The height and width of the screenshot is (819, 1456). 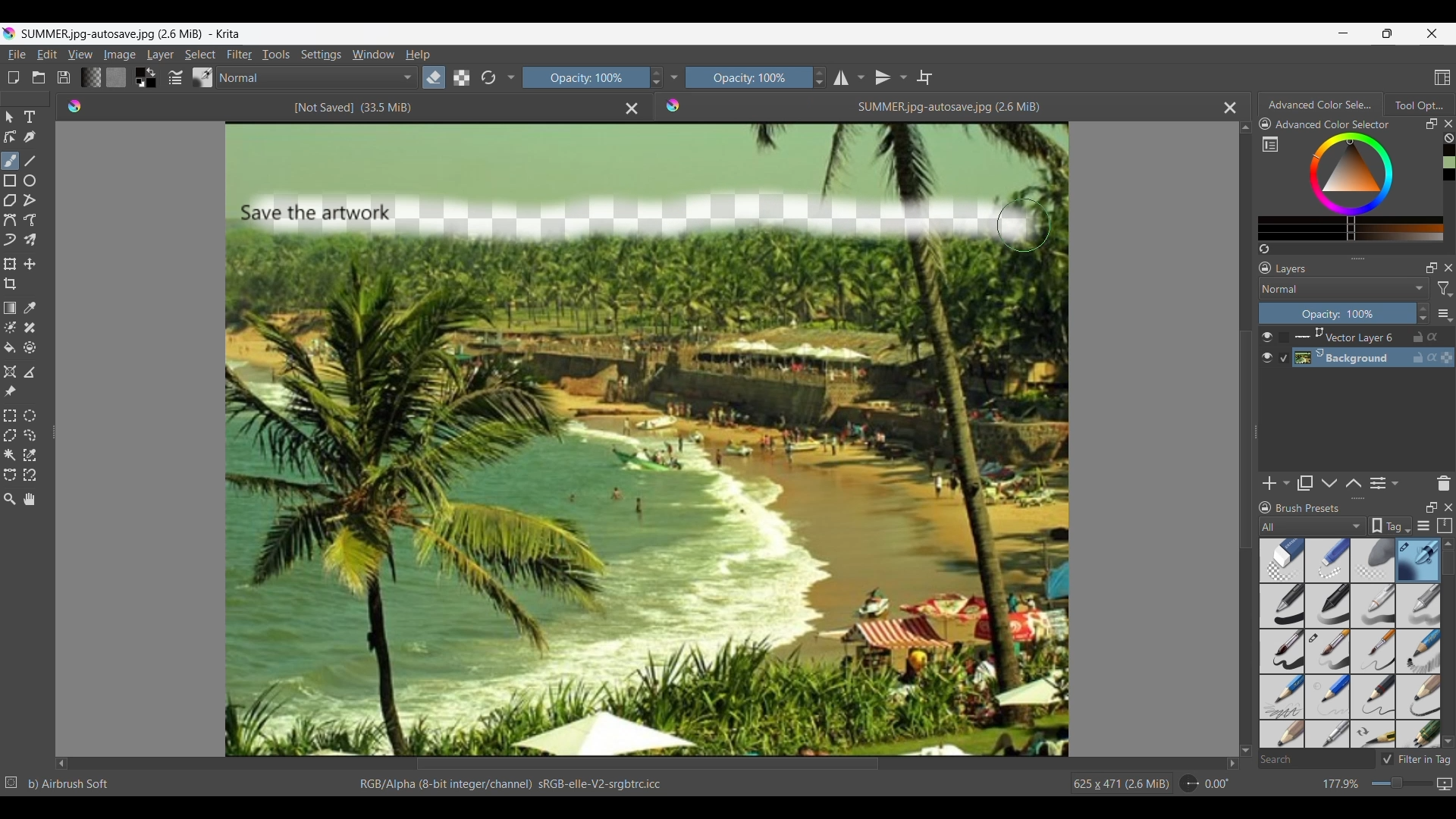 I want to click on More settings, so click(x=1444, y=313).